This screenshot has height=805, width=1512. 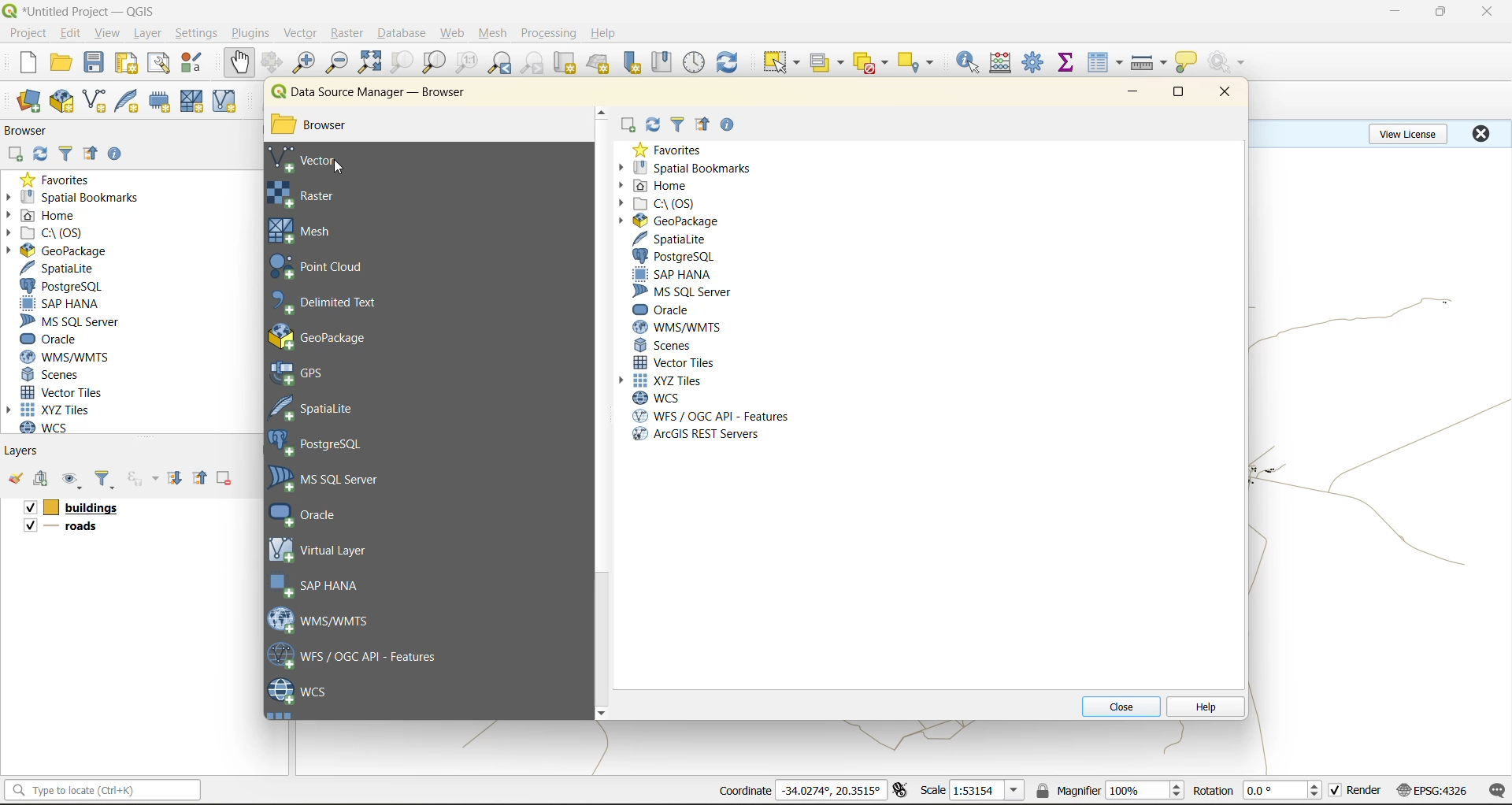 What do you see at coordinates (873, 63) in the screenshot?
I see `deselect value` at bounding box center [873, 63].